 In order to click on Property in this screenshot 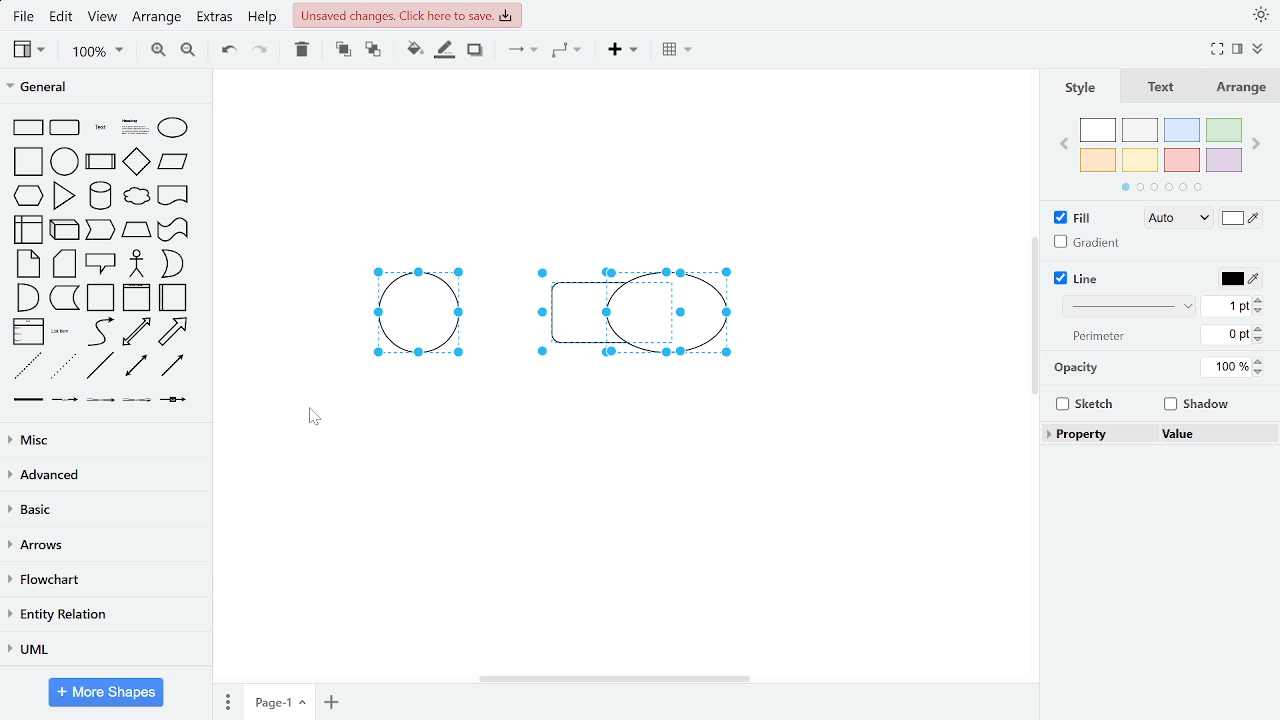, I will do `click(1101, 434)`.